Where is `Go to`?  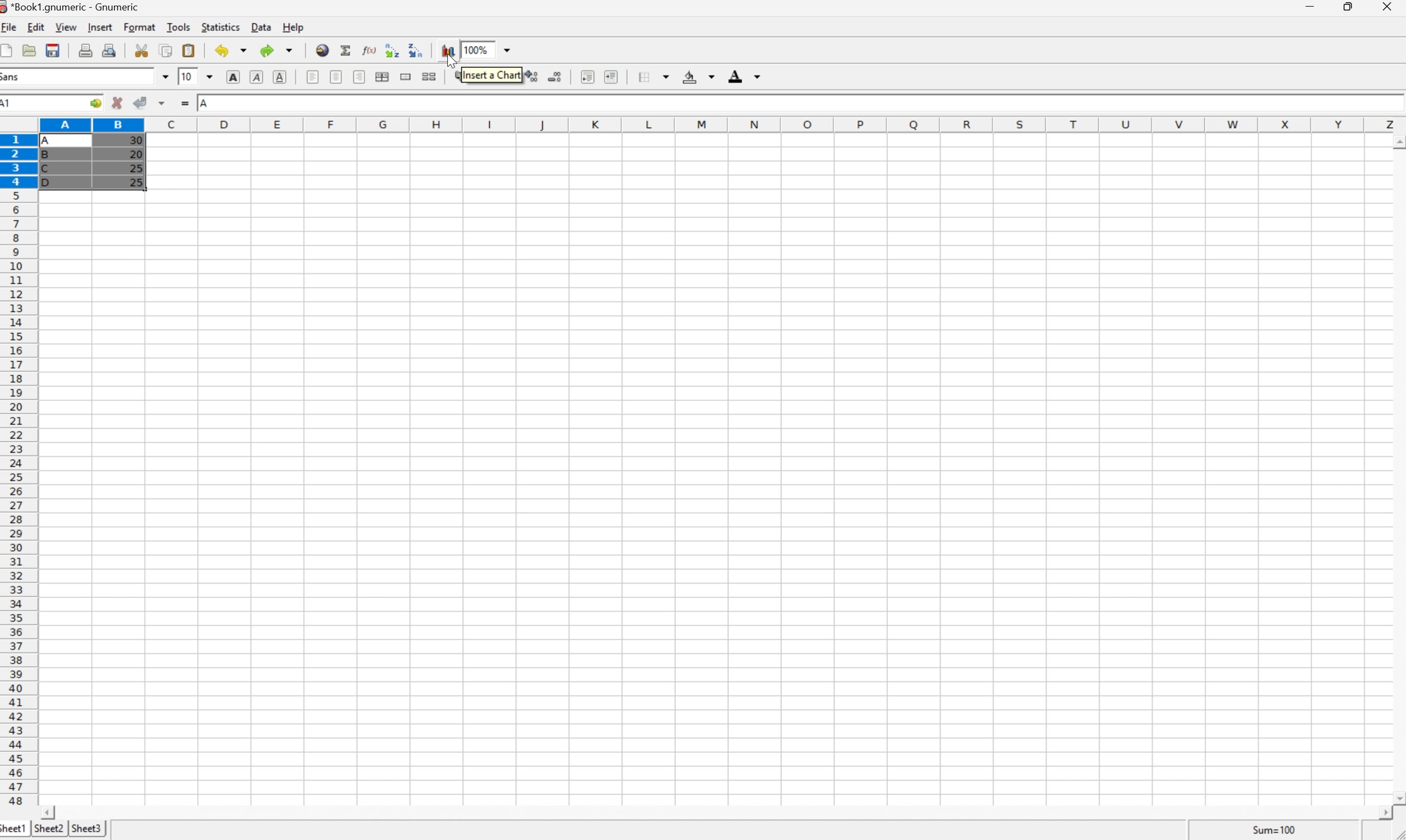
Go to is located at coordinates (95, 101).